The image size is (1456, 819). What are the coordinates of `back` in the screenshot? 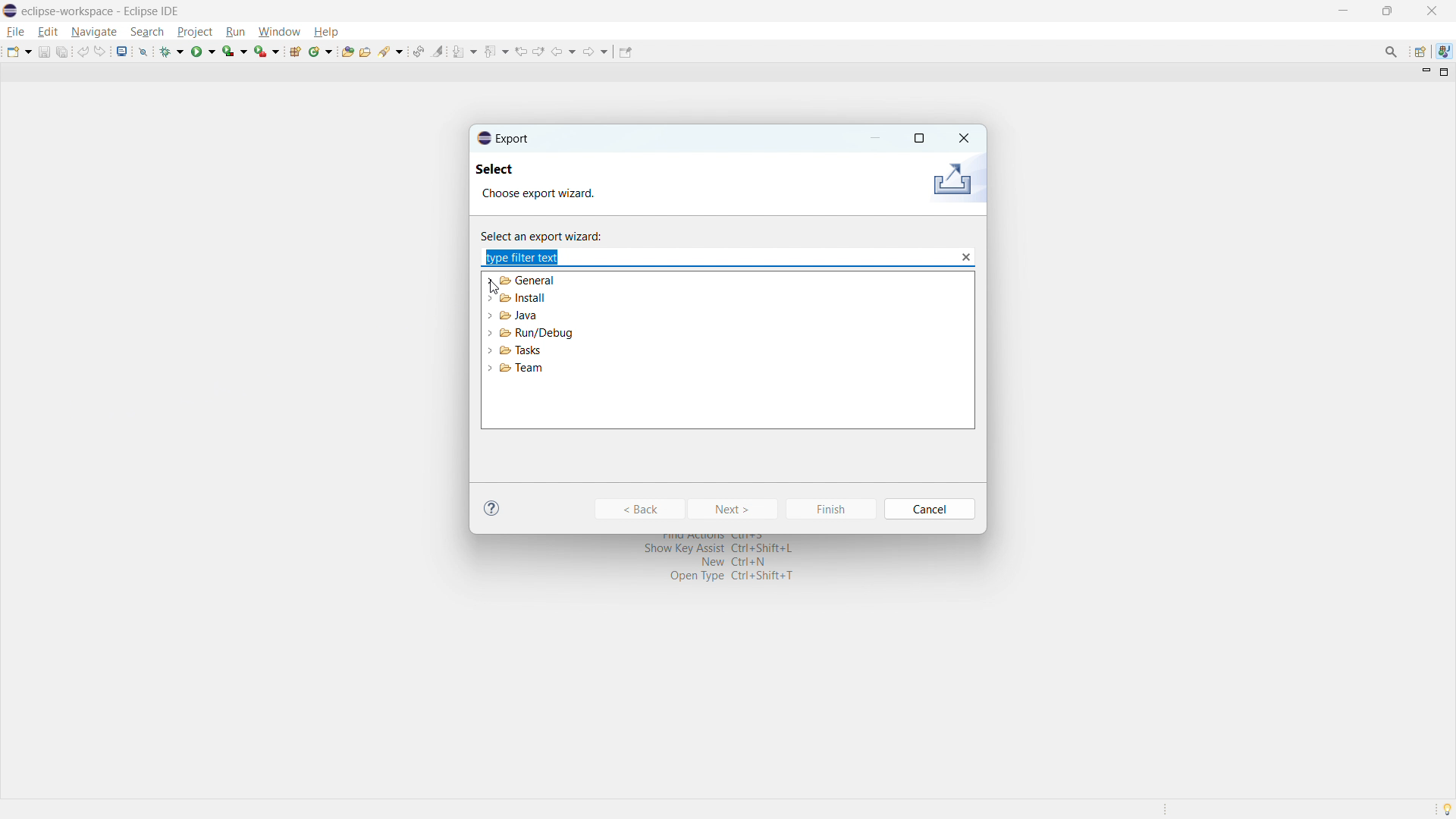 It's located at (639, 509).